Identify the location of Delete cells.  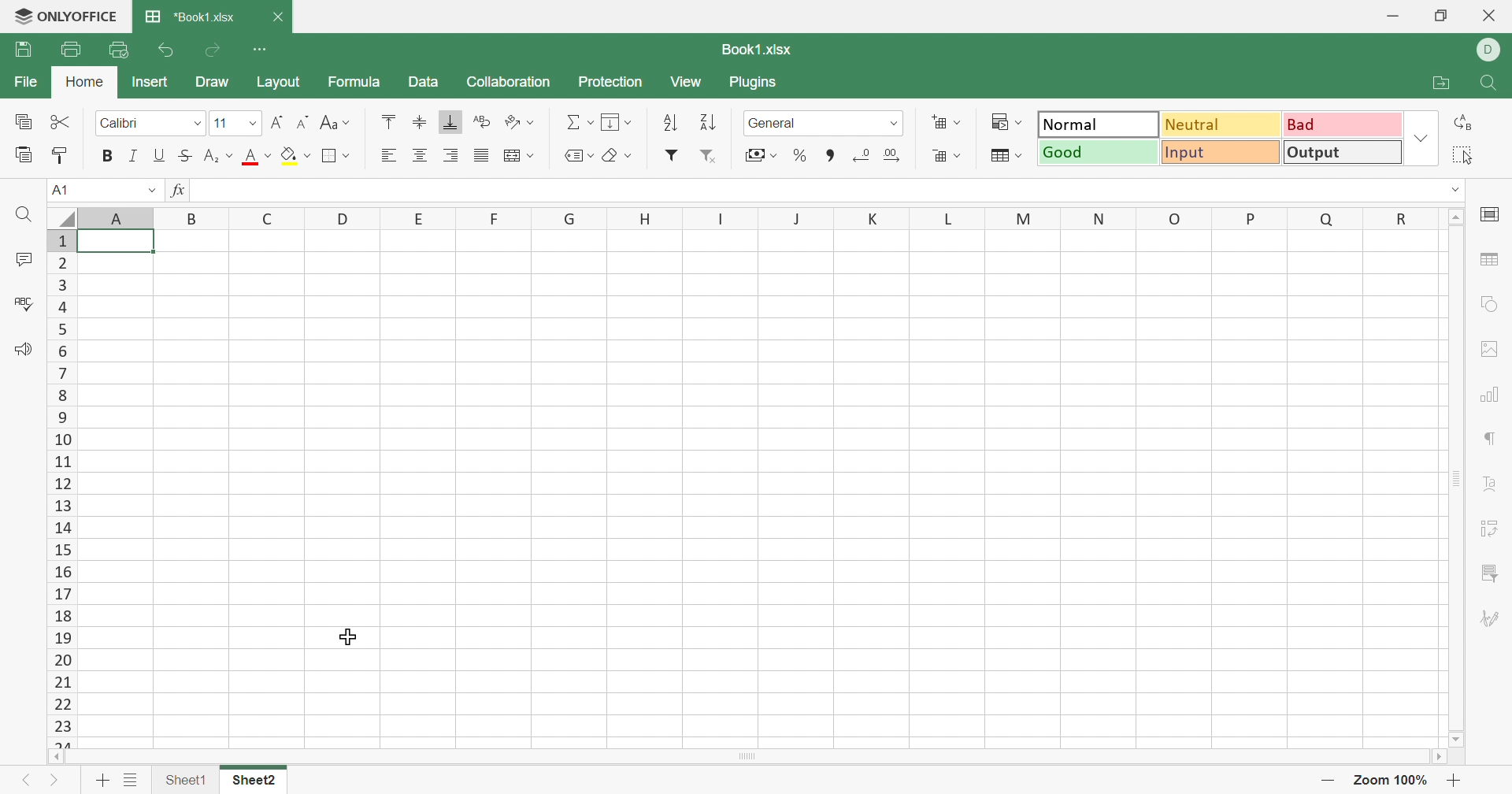
(941, 158).